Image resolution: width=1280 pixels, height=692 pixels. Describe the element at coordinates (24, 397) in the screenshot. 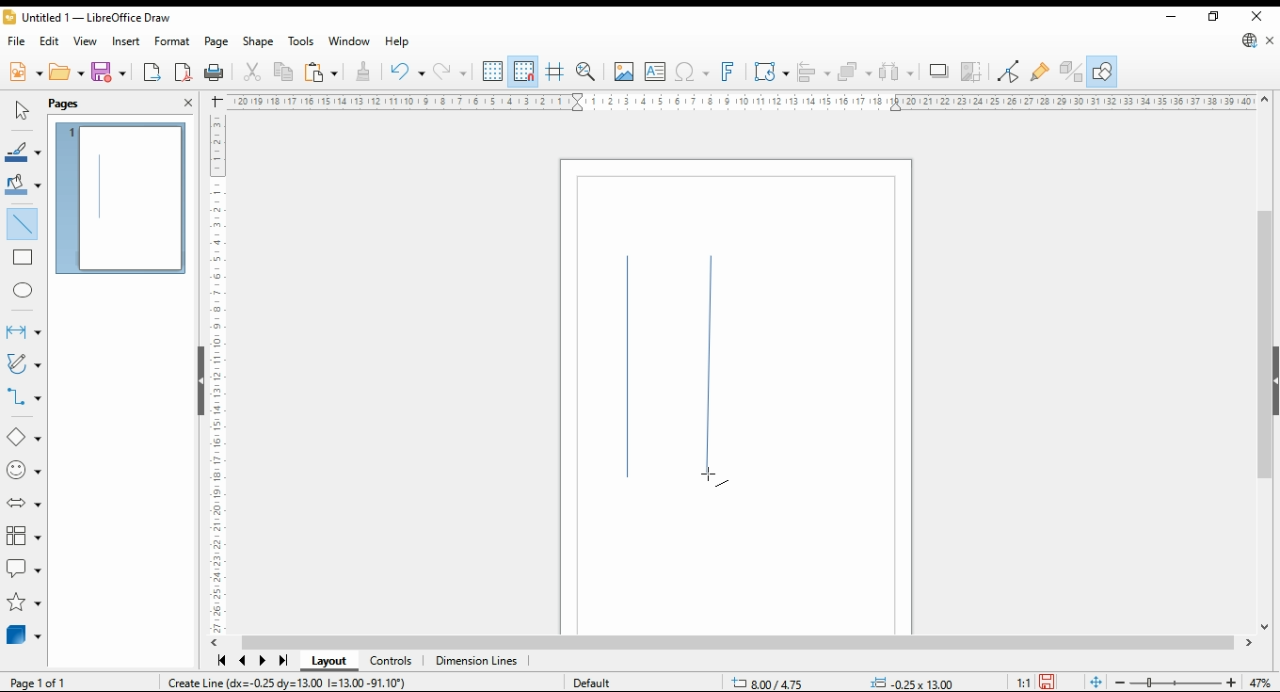

I see `connectors` at that location.